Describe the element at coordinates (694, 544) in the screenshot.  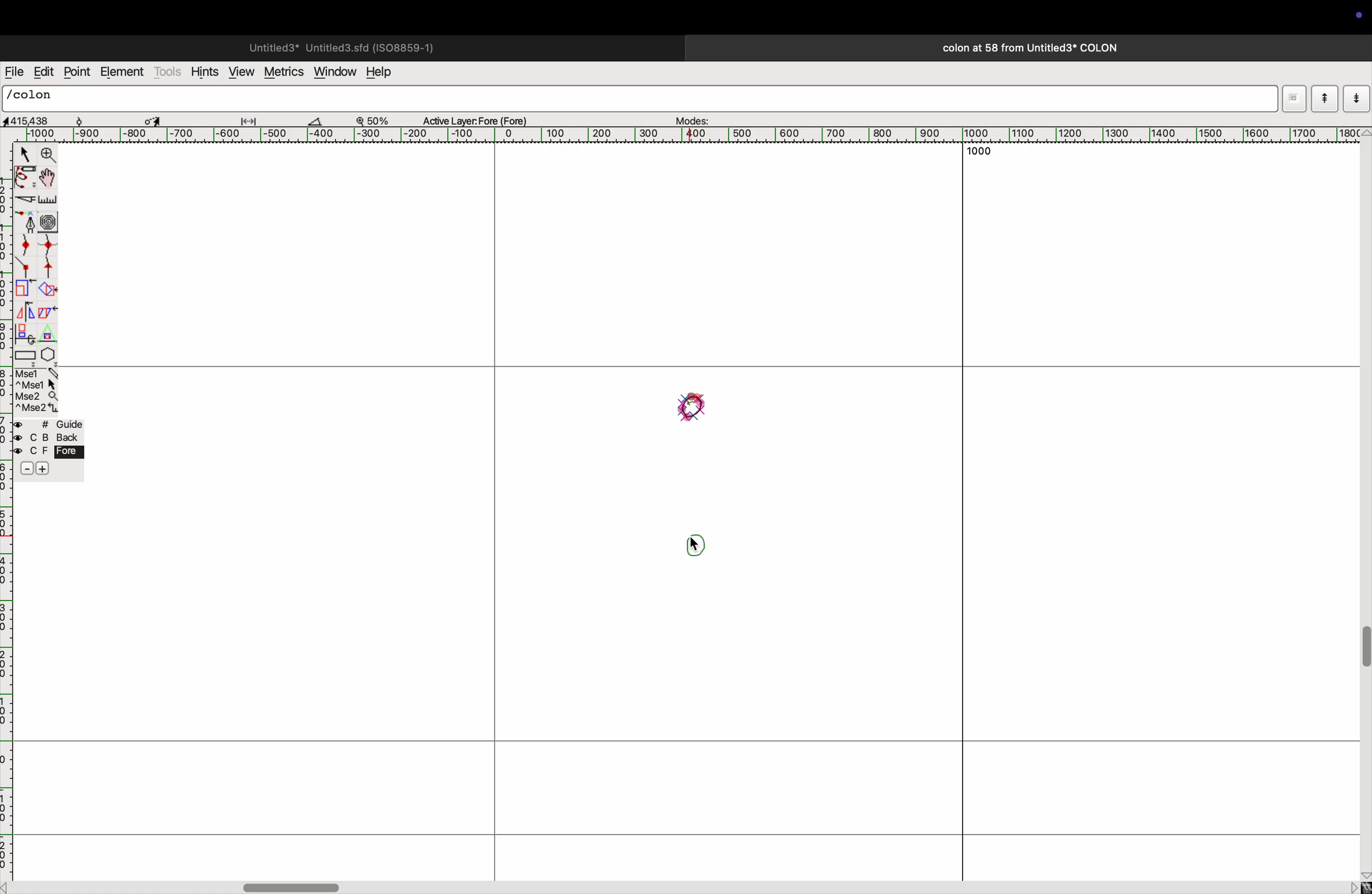
I see `cursor` at that location.